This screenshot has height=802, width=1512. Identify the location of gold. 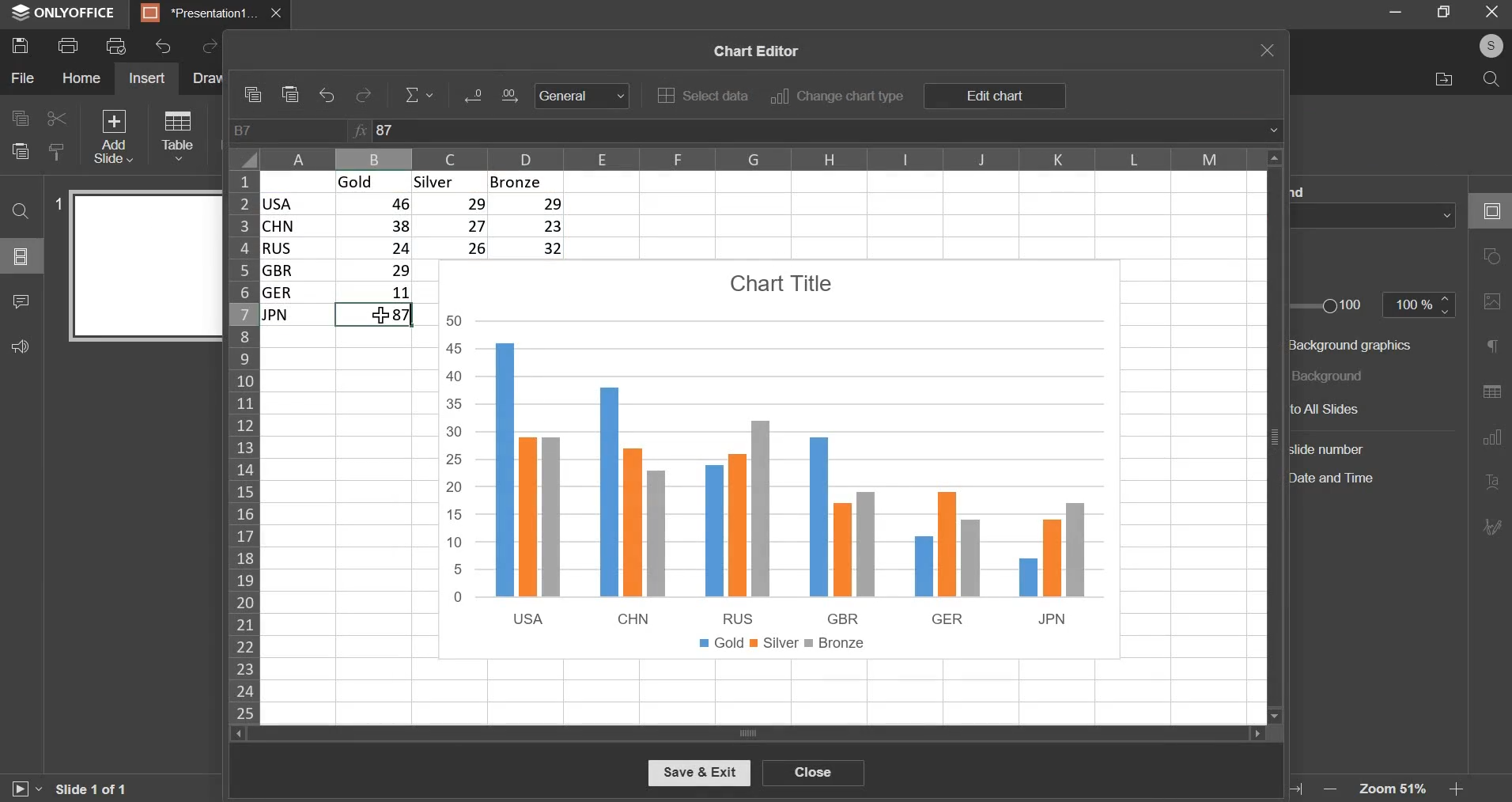
(365, 181).